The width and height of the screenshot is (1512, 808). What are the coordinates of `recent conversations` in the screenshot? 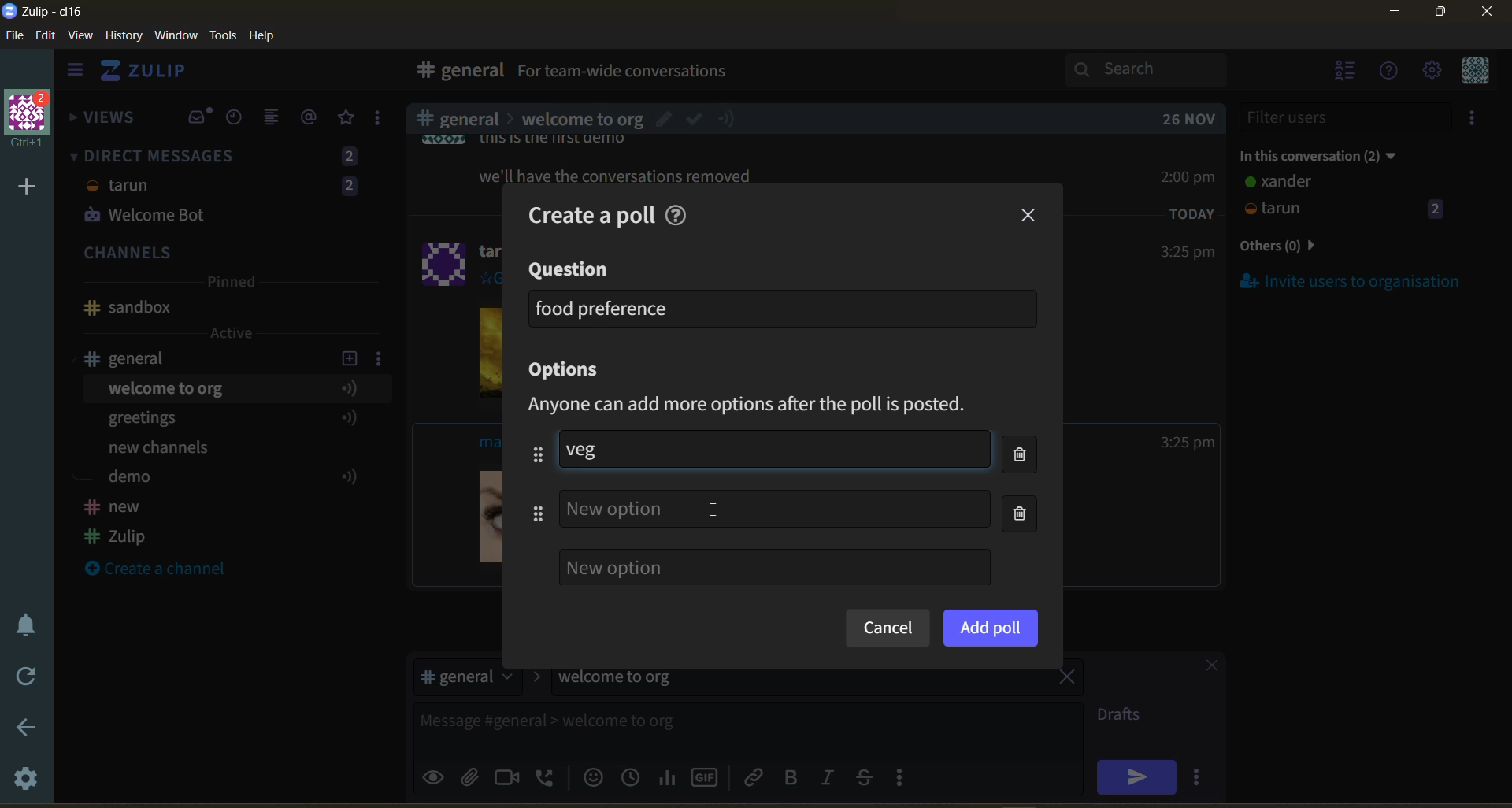 It's located at (239, 119).